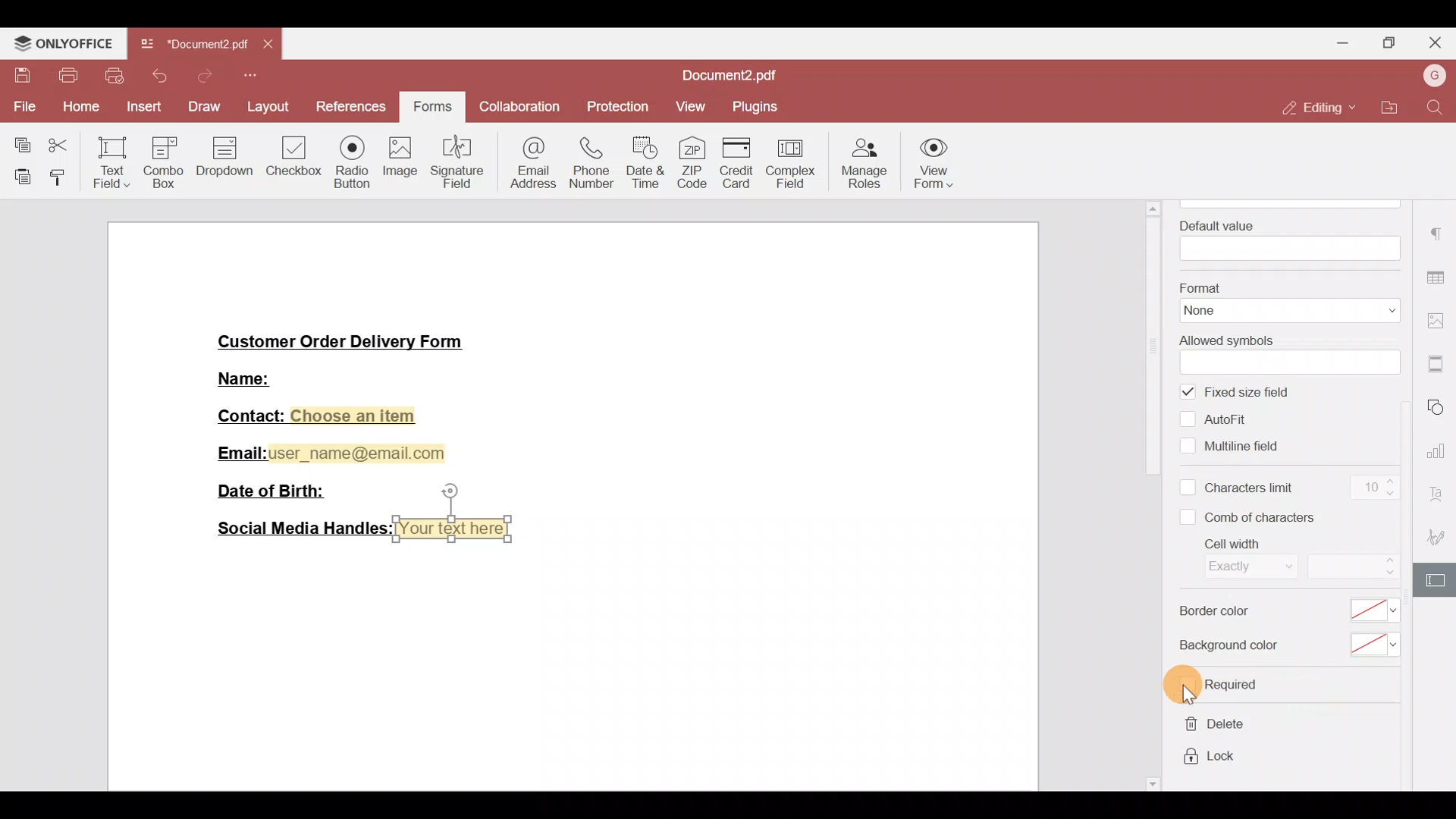 The image size is (1456, 819). What do you see at coordinates (1285, 237) in the screenshot?
I see `Default value` at bounding box center [1285, 237].